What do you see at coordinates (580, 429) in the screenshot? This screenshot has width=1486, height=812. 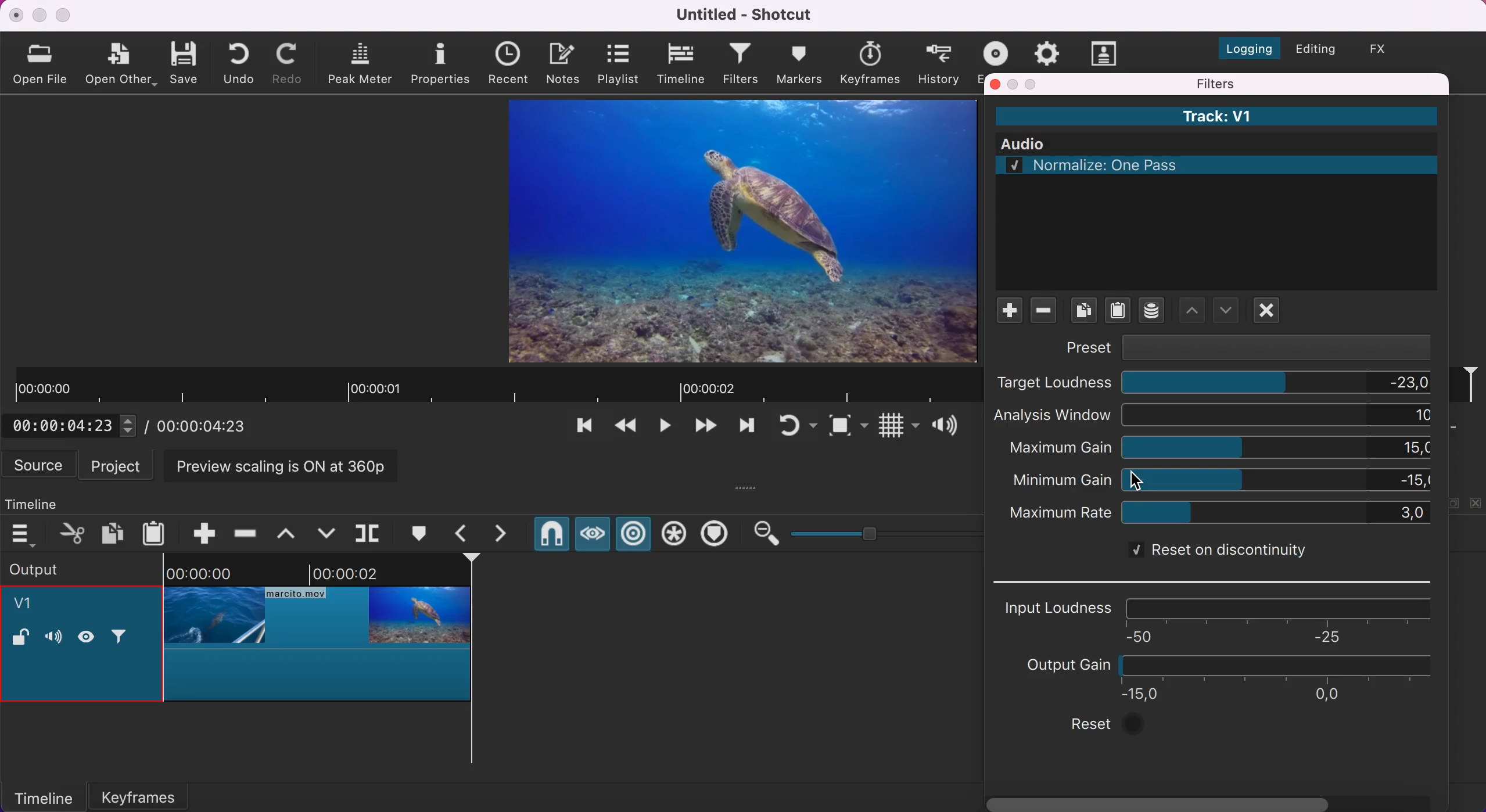 I see `skip to the previous point` at bounding box center [580, 429].